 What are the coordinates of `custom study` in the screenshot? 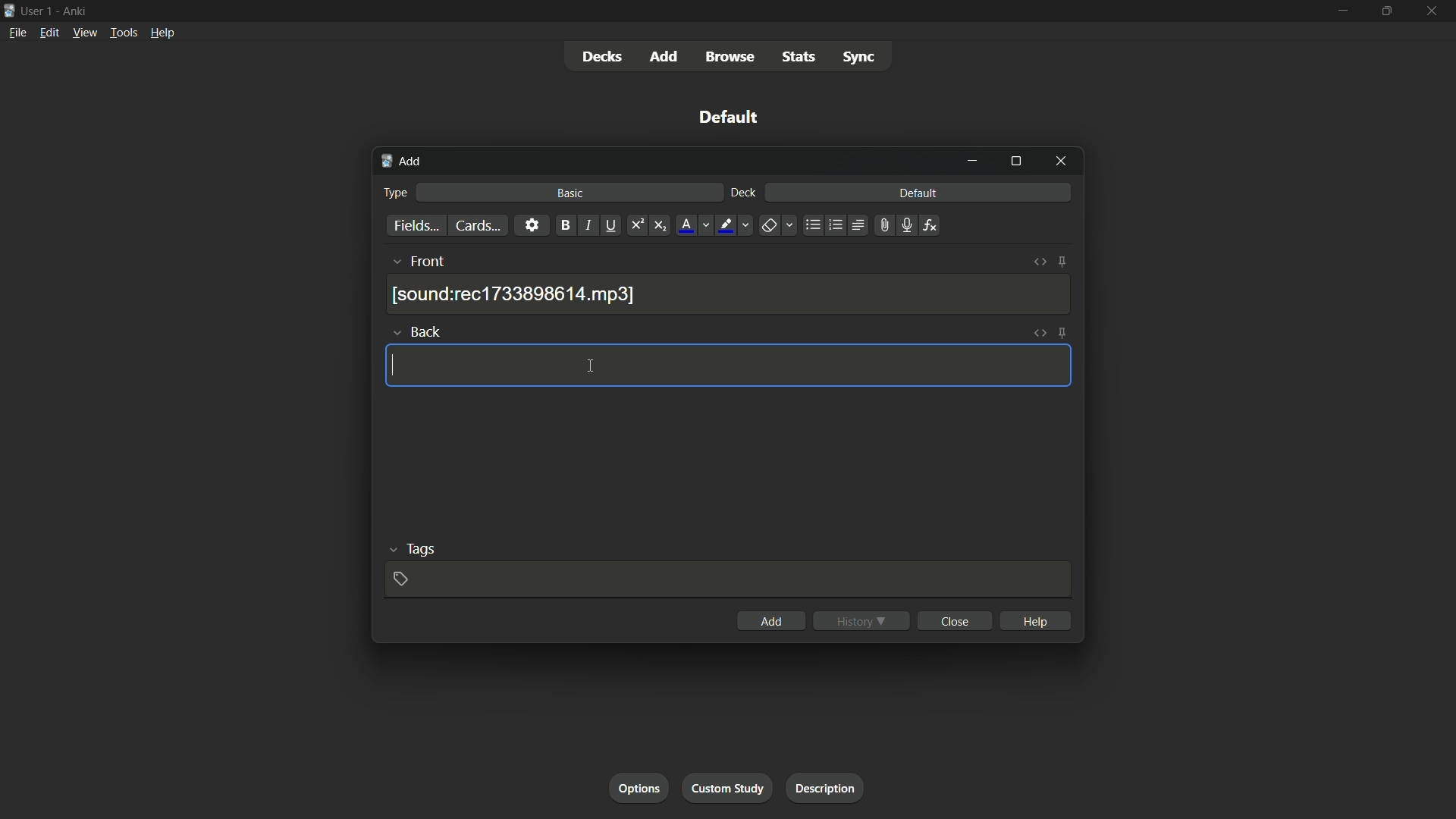 It's located at (727, 787).